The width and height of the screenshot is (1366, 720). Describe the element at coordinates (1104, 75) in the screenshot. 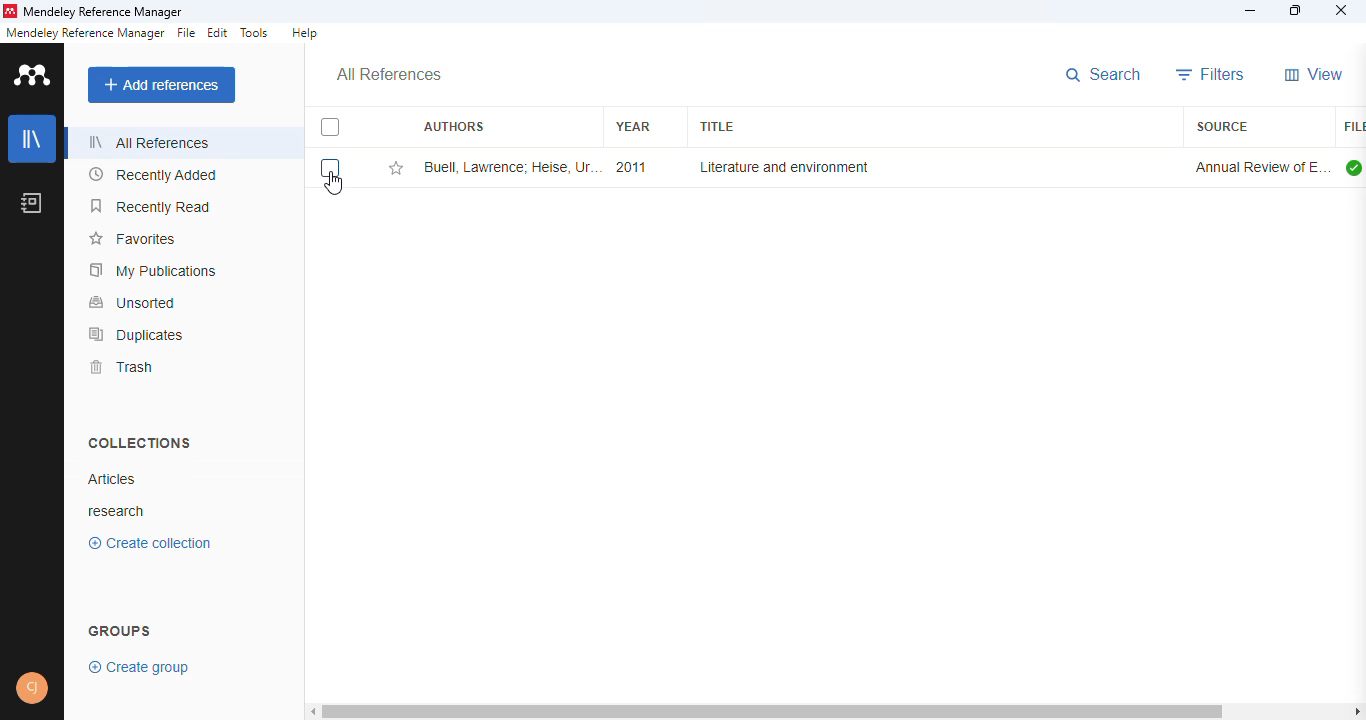

I see `search` at that location.